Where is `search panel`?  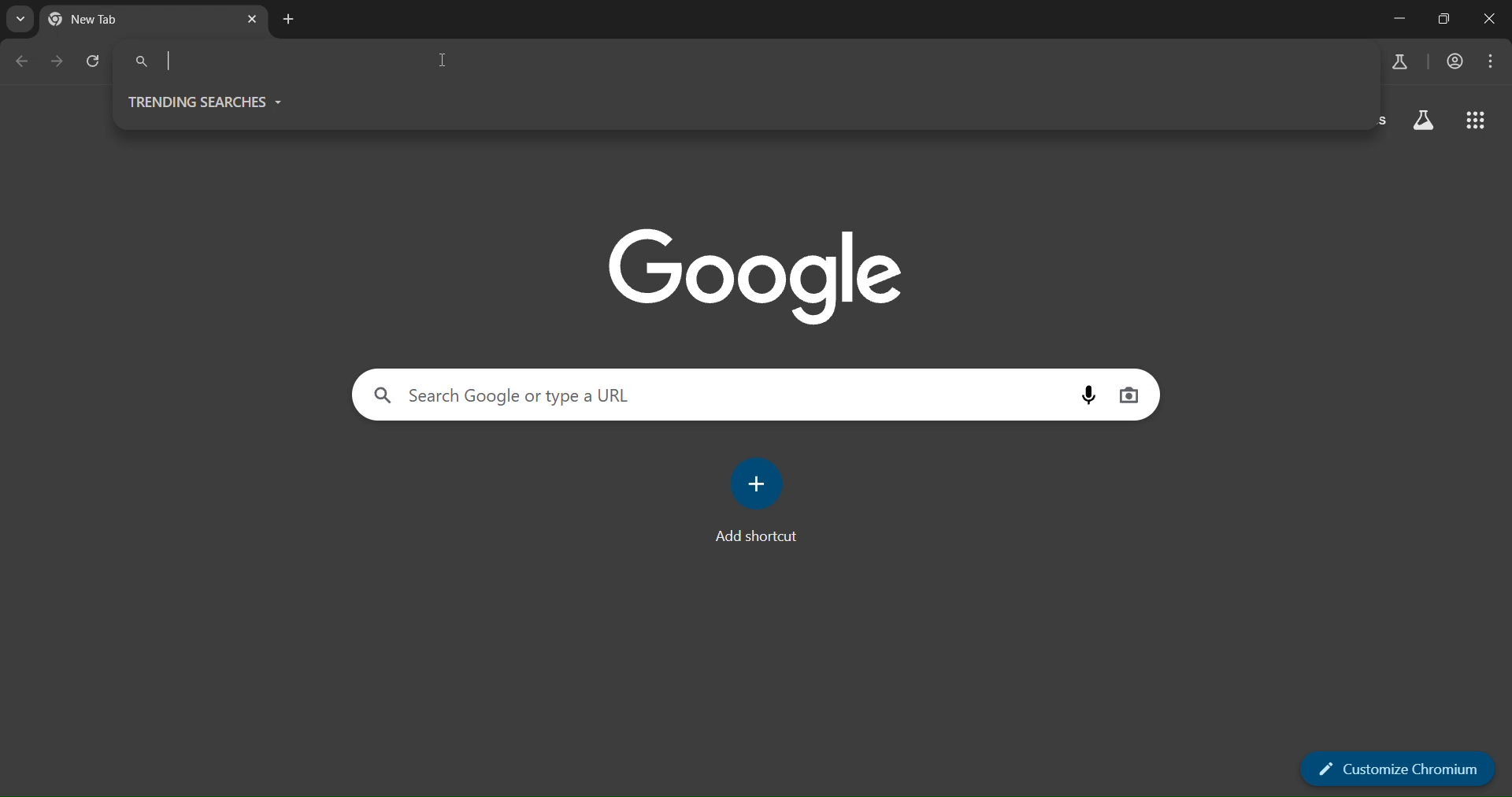 search panel is located at coordinates (547, 395).